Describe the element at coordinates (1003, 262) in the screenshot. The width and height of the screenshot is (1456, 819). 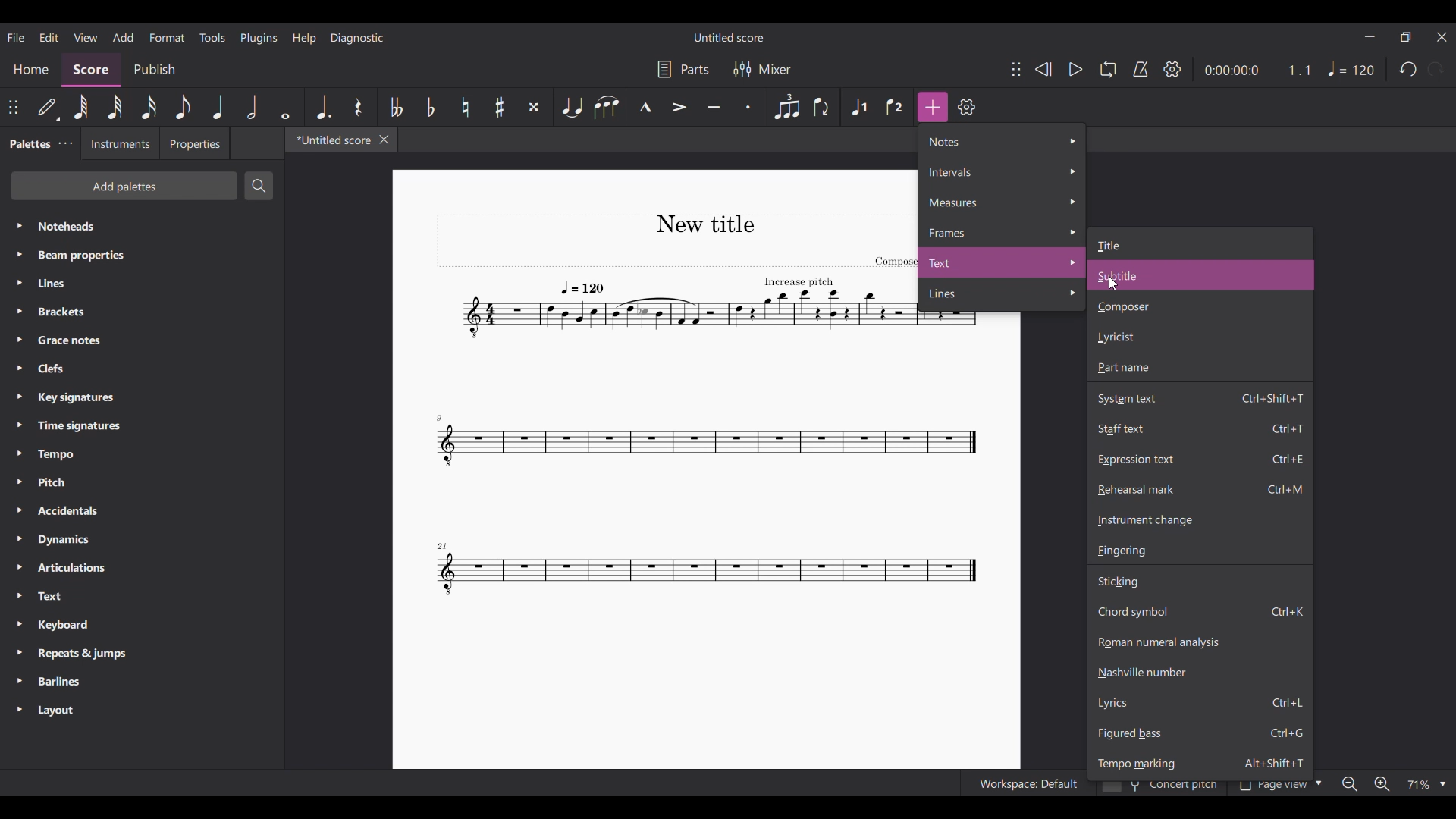
I see `Text options, highlighted as current selection` at that location.